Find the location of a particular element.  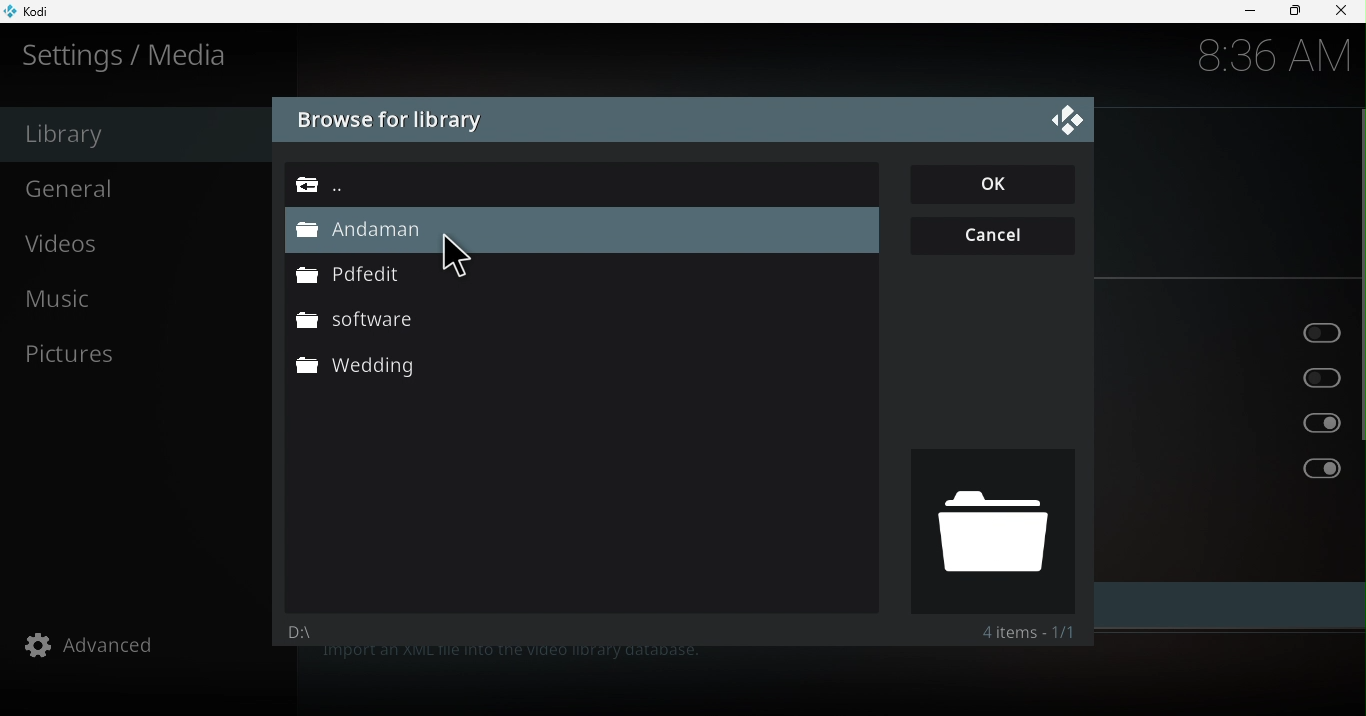

Ignore video extras on scan is located at coordinates (1229, 469).